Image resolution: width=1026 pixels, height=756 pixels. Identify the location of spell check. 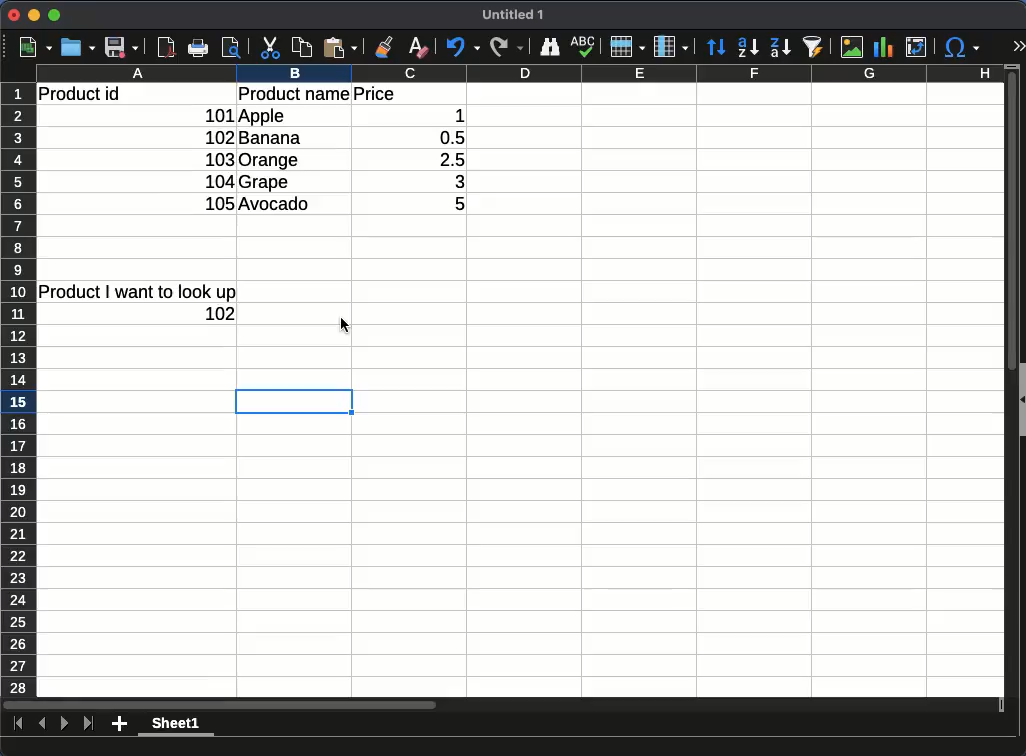
(583, 46).